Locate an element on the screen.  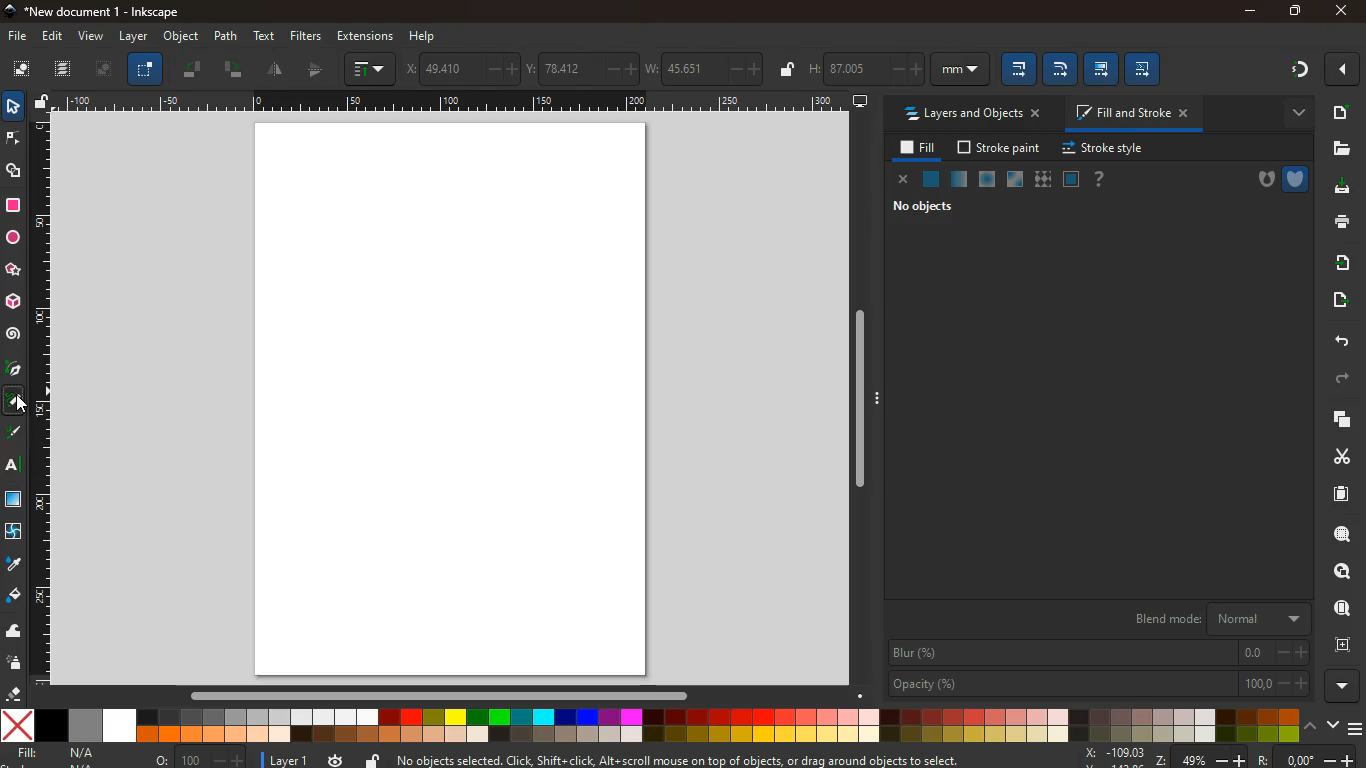
Scale is located at coordinates (41, 399).